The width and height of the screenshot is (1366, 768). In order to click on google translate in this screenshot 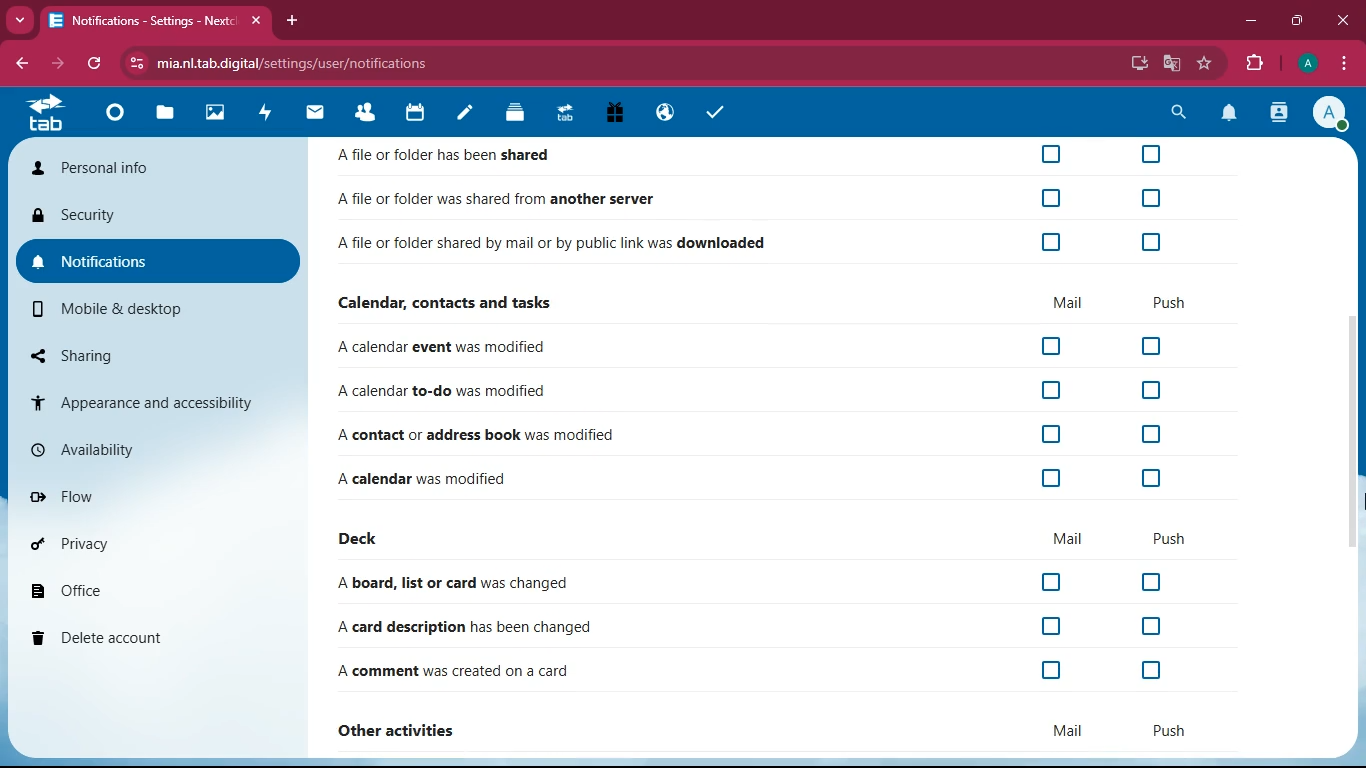, I will do `click(1170, 64)`.